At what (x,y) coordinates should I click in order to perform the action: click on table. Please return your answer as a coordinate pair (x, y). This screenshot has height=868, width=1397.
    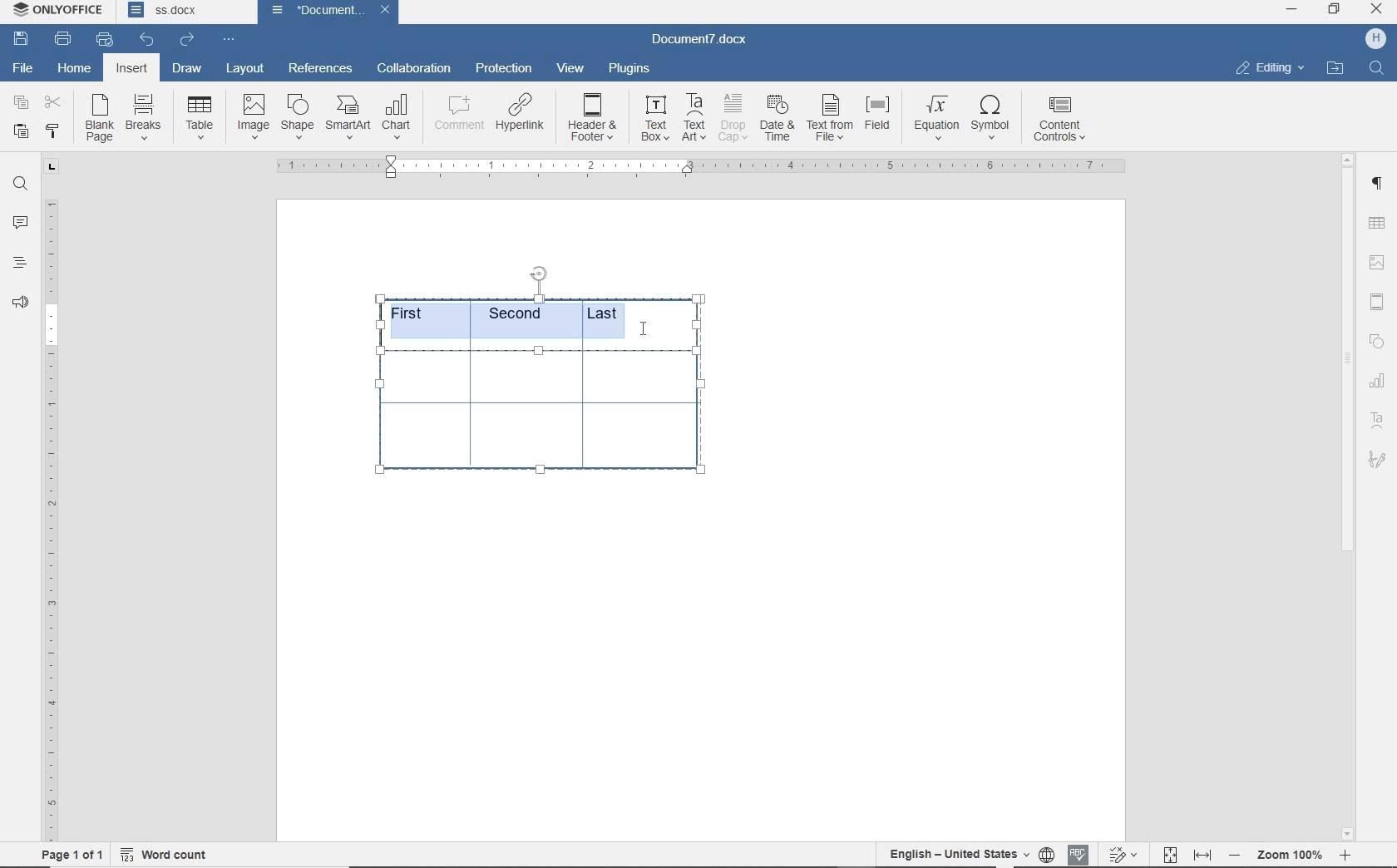
    Looking at the image, I should click on (548, 422).